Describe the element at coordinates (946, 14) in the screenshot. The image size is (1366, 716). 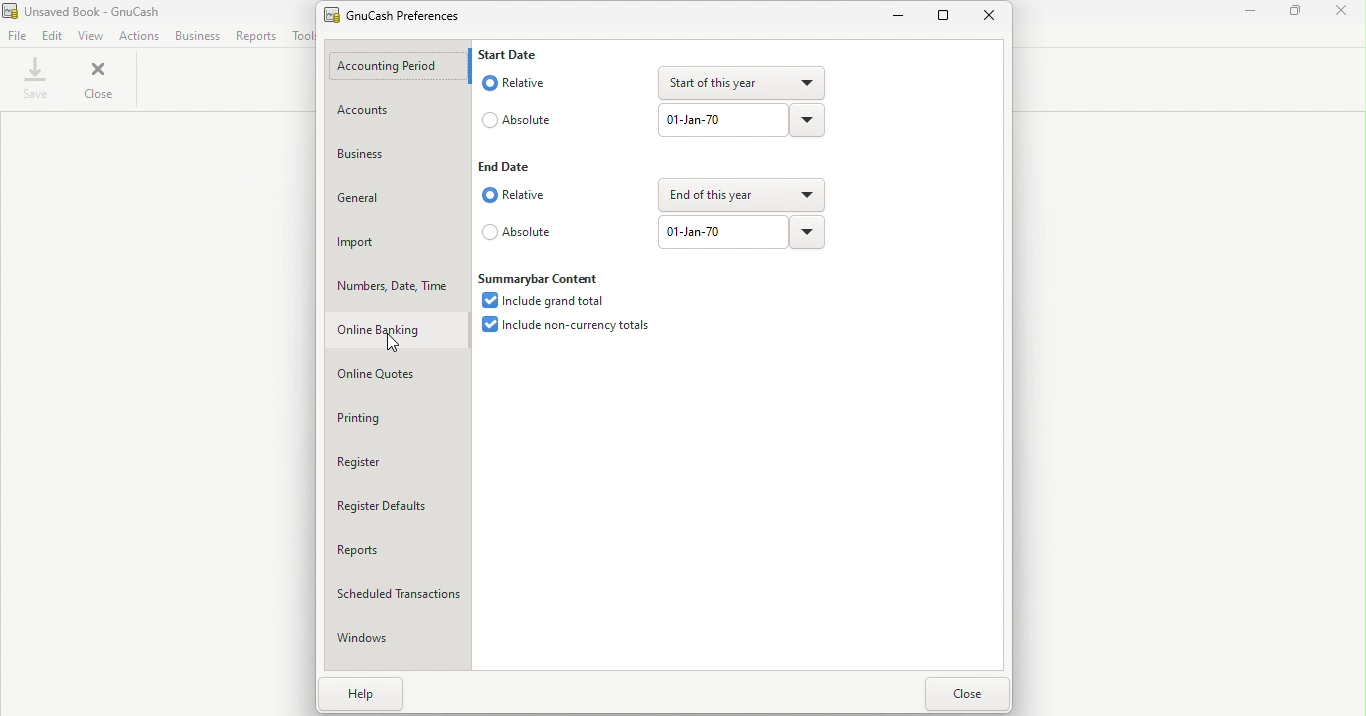
I see `Maximize` at that location.